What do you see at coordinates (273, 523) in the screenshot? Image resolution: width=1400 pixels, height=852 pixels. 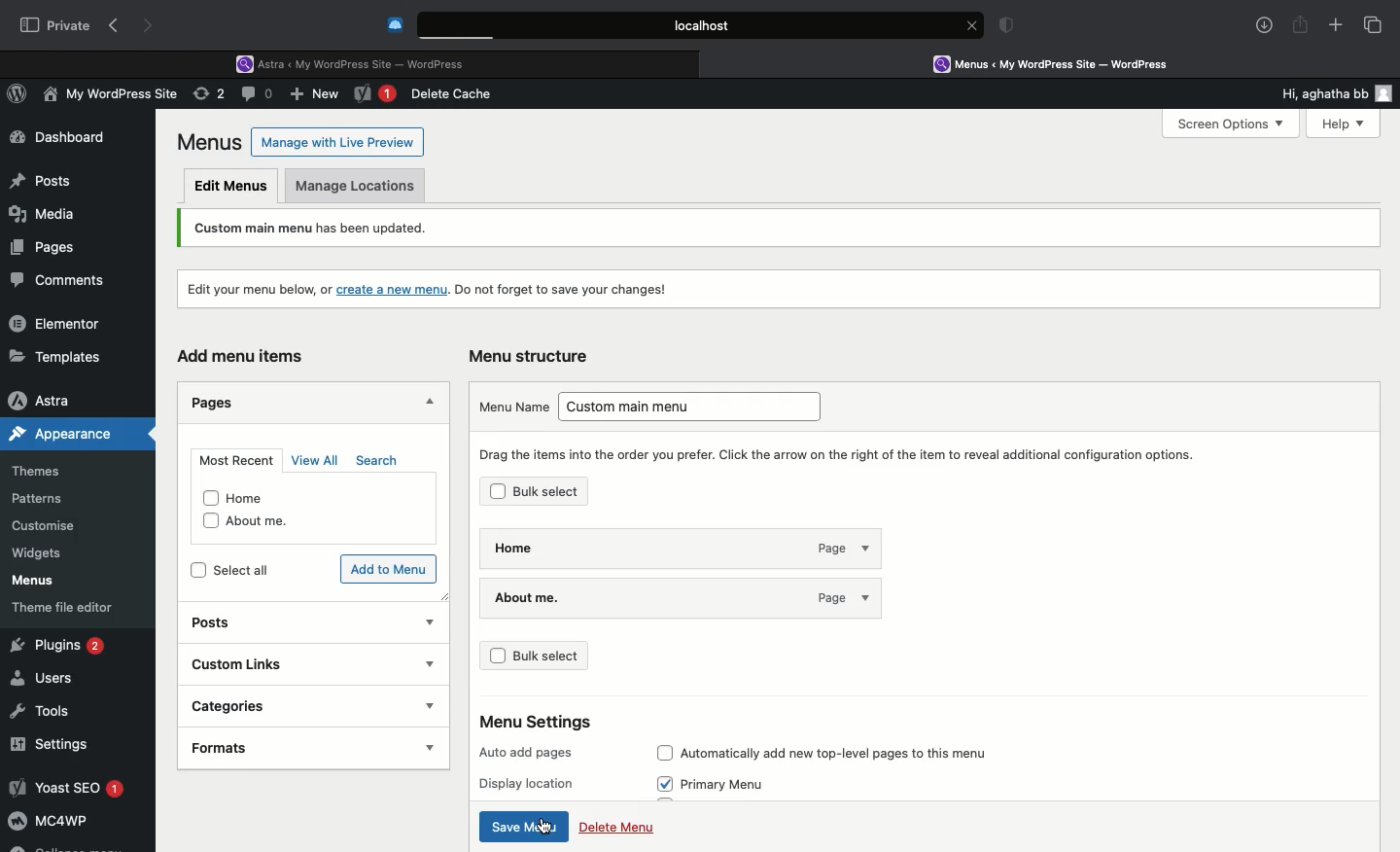 I see `About me` at bounding box center [273, 523].